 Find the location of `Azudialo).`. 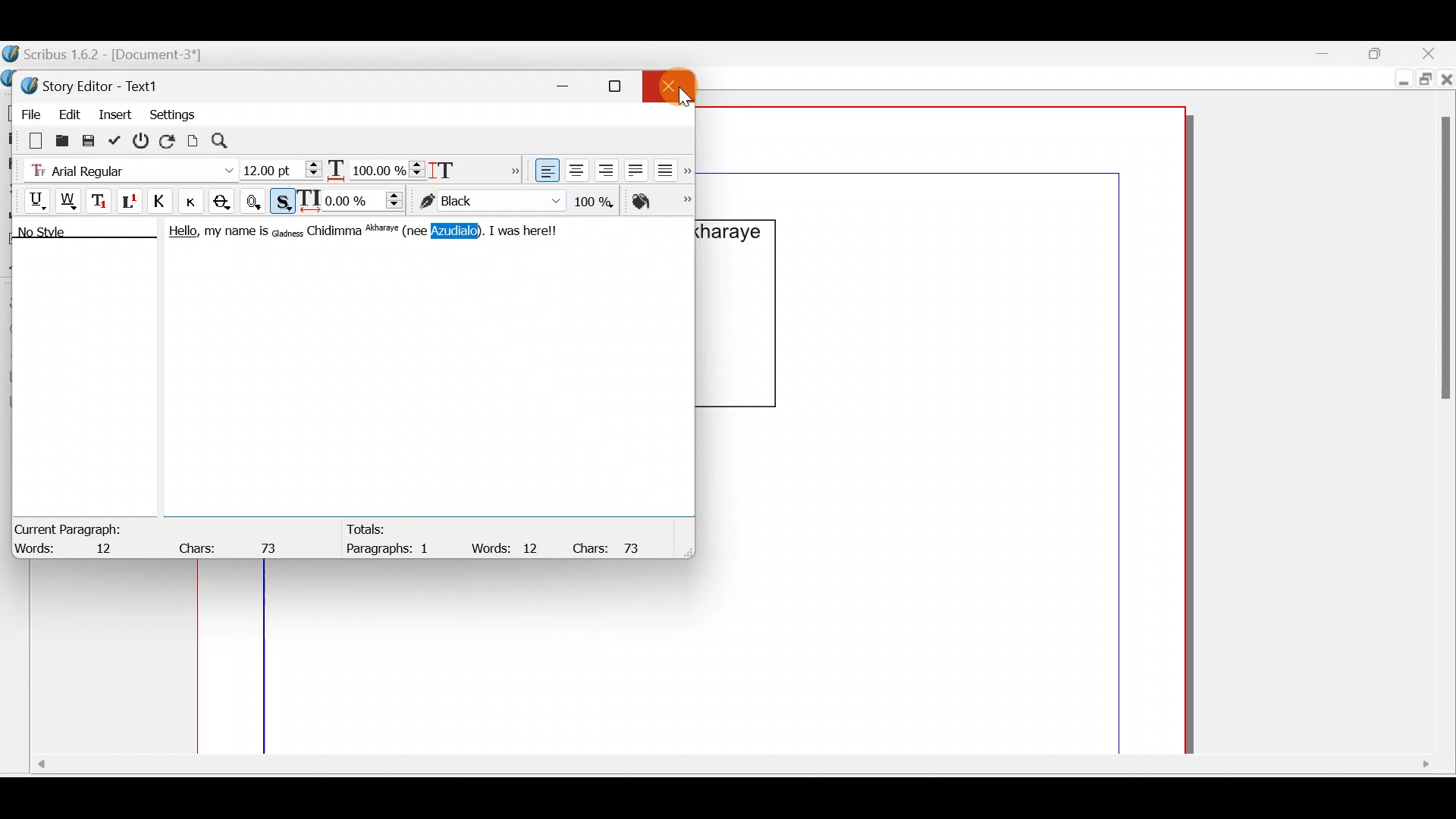

Azudialo). is located at coordinates (460, 231).